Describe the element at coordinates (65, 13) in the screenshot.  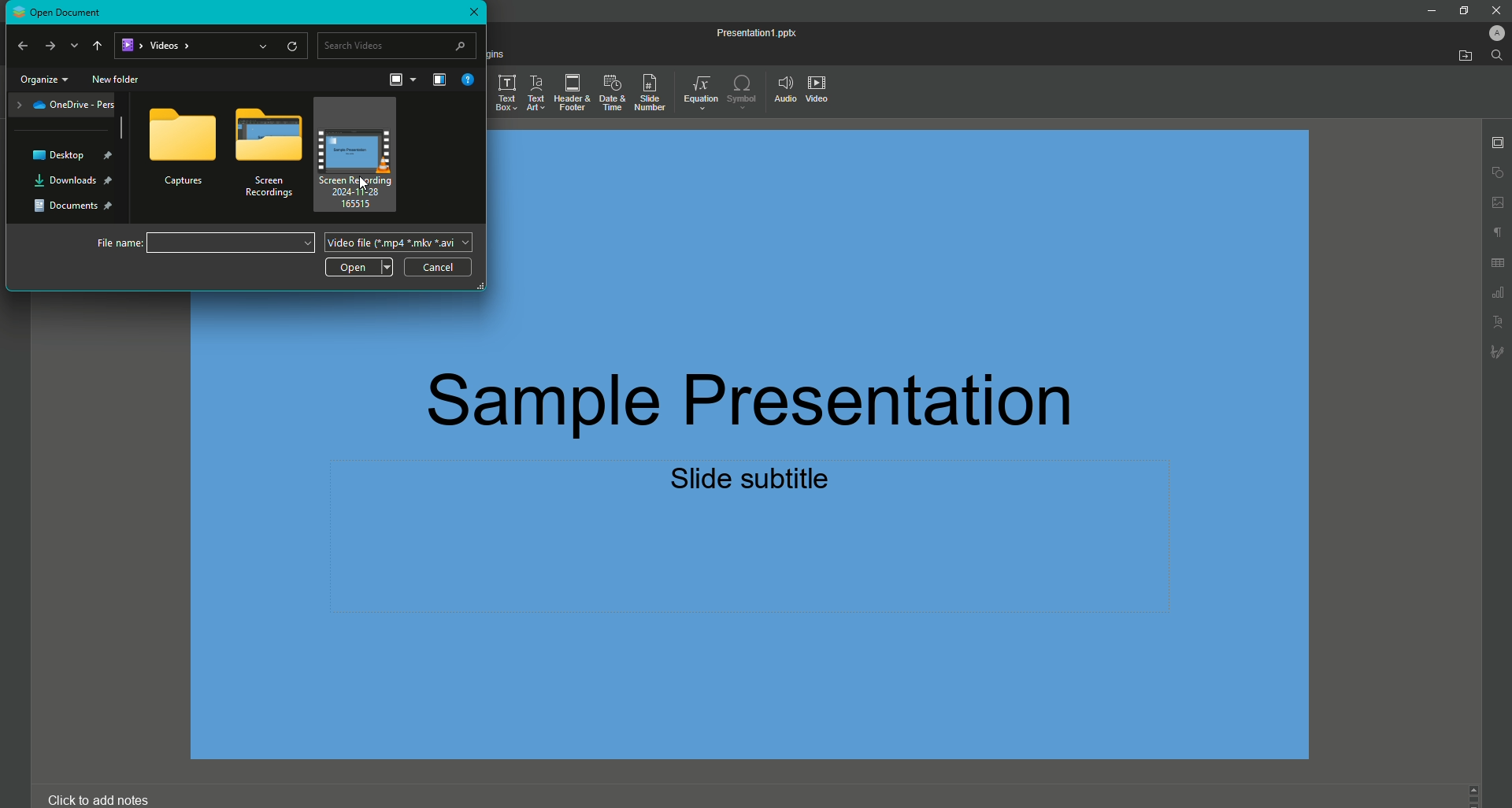
I see `Open Document` at that location.